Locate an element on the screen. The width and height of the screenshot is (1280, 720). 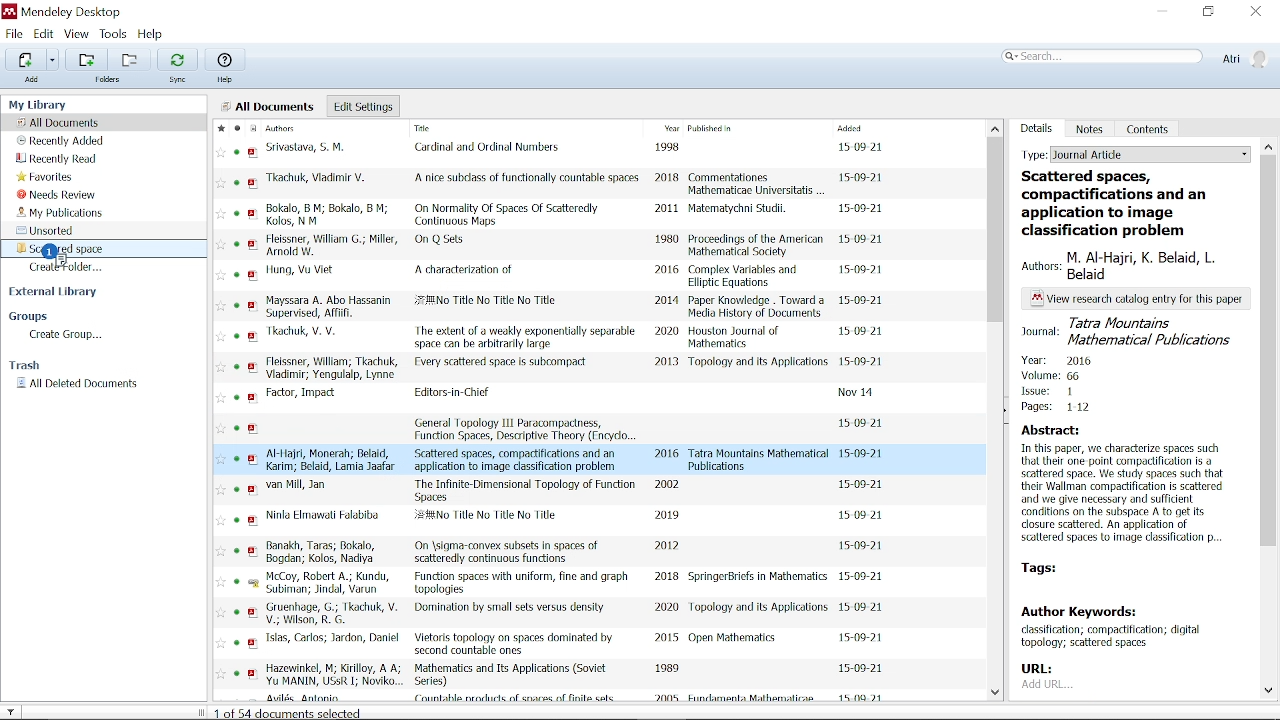
2014 is located at coordinates (667, 300).